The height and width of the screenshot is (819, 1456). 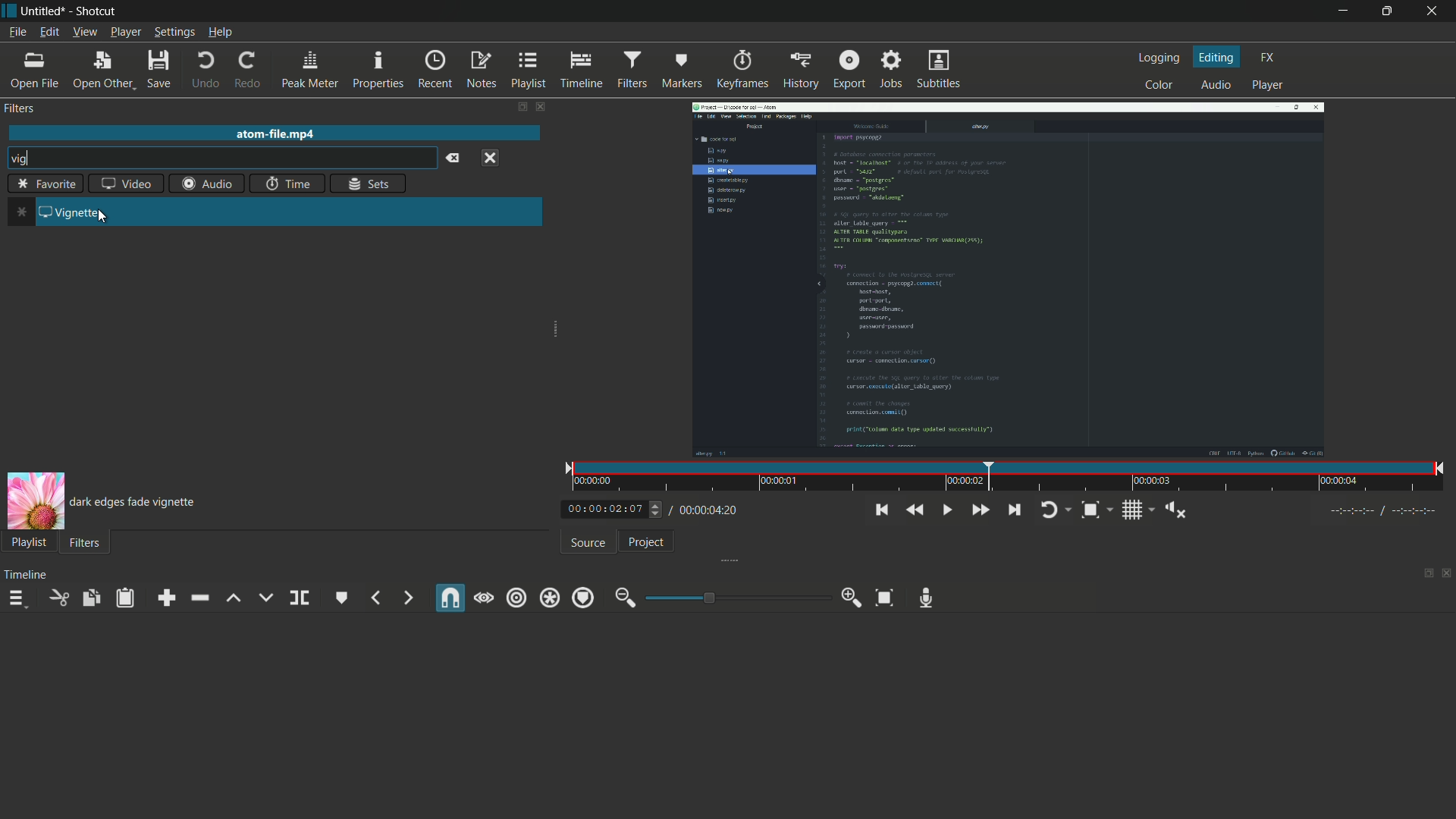 What do you see at coordinates (20, 159) in the screenshot?
I see `vig` at bounding box center [20, 159].